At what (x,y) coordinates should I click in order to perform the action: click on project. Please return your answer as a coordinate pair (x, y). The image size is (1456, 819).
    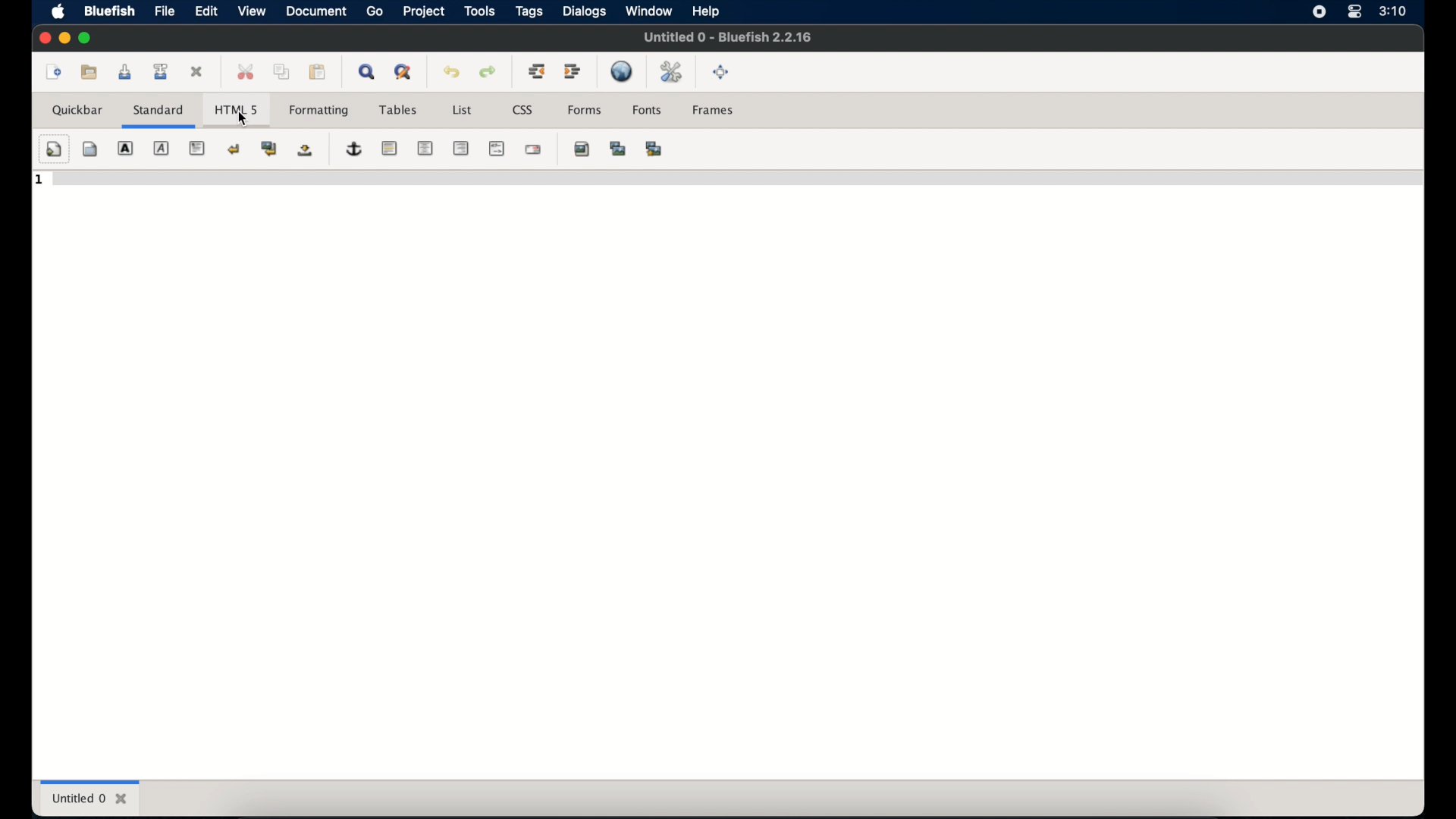
    Looking at the image, I should click on (423, 11).